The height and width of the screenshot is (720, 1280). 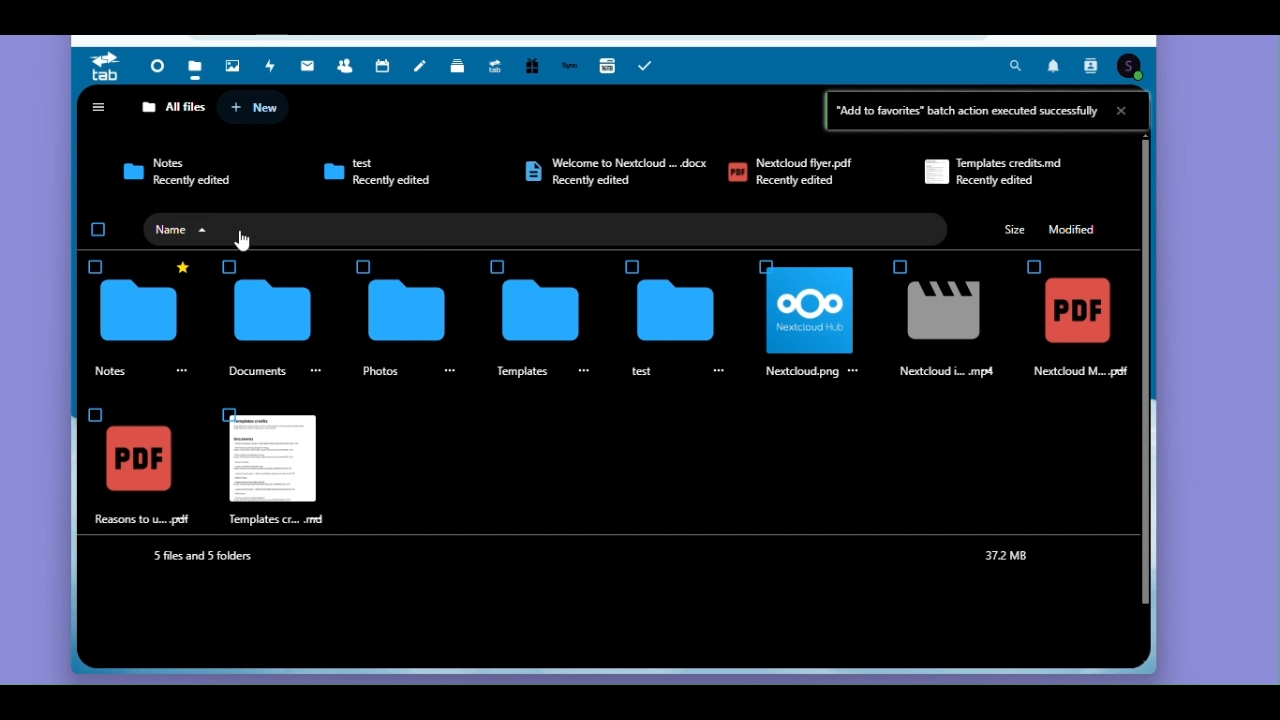 What do you see at coordinates (934, 175) in the screenshot?
I see `Icon` at bounding box center [934, 175].